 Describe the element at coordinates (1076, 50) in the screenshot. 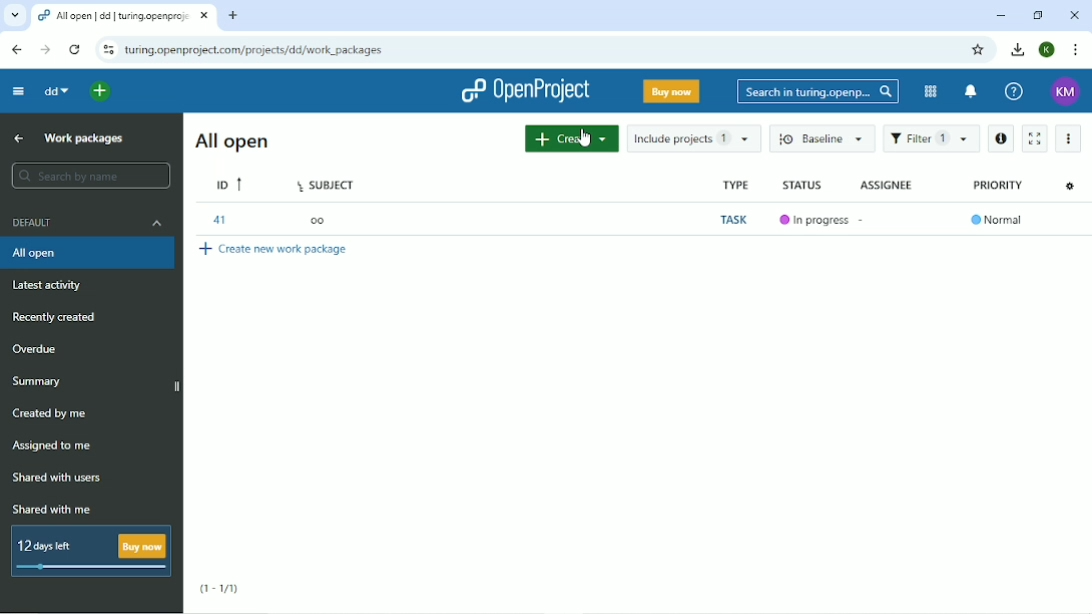

I see `Customize and control google chrome` at that location.